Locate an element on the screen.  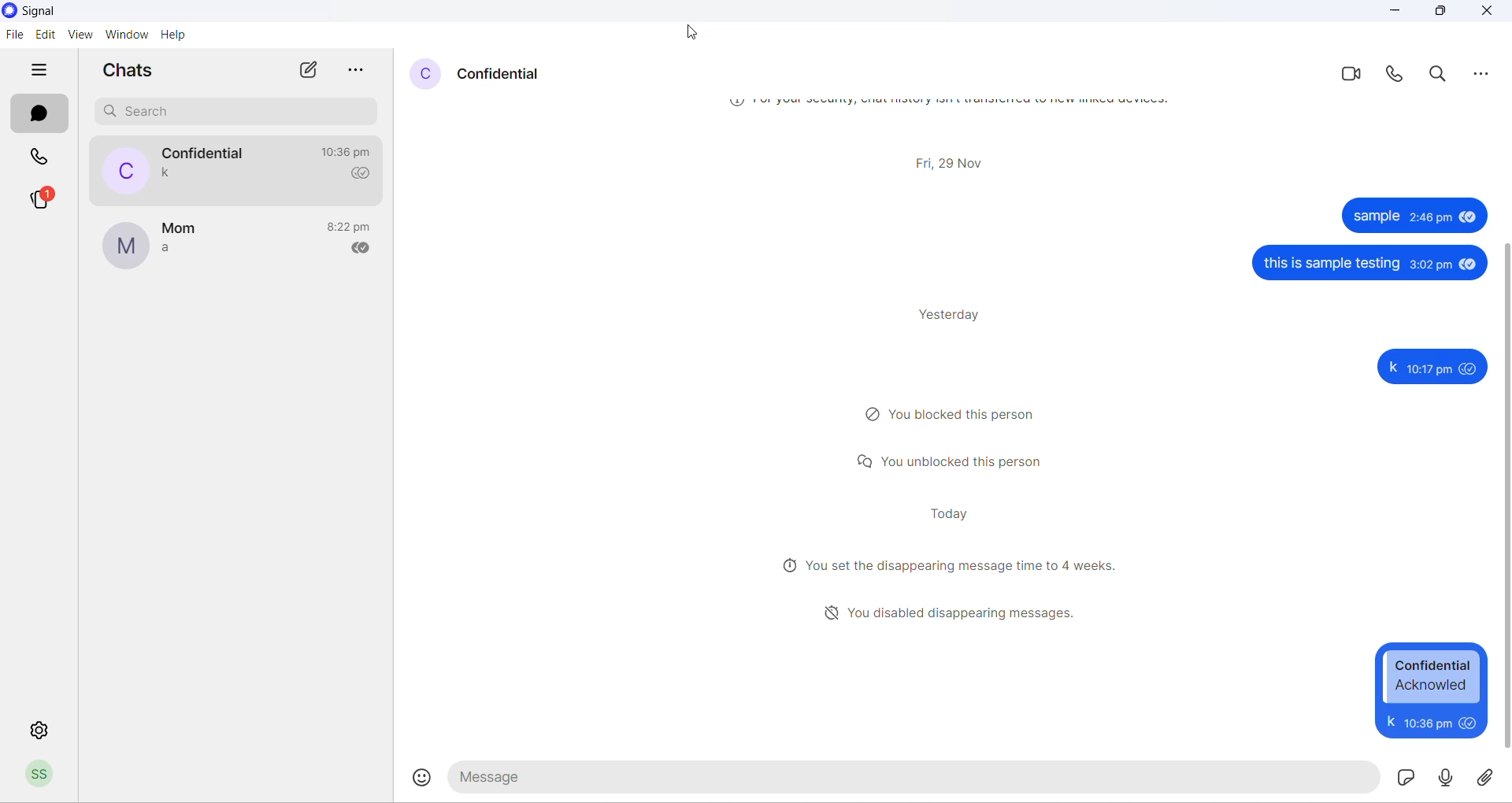
2:46 pm is located at coordinates (1428, 216).